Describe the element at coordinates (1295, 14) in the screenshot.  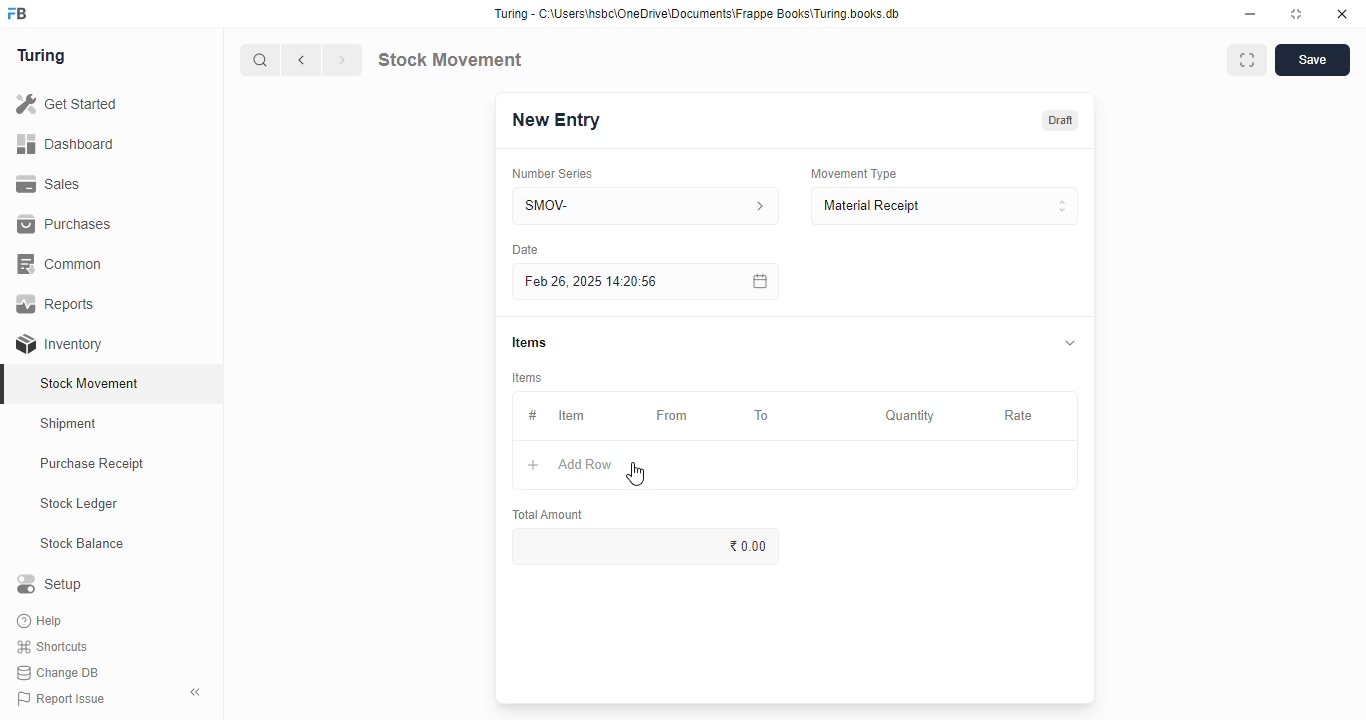
I see `toggle maximize` at that location.